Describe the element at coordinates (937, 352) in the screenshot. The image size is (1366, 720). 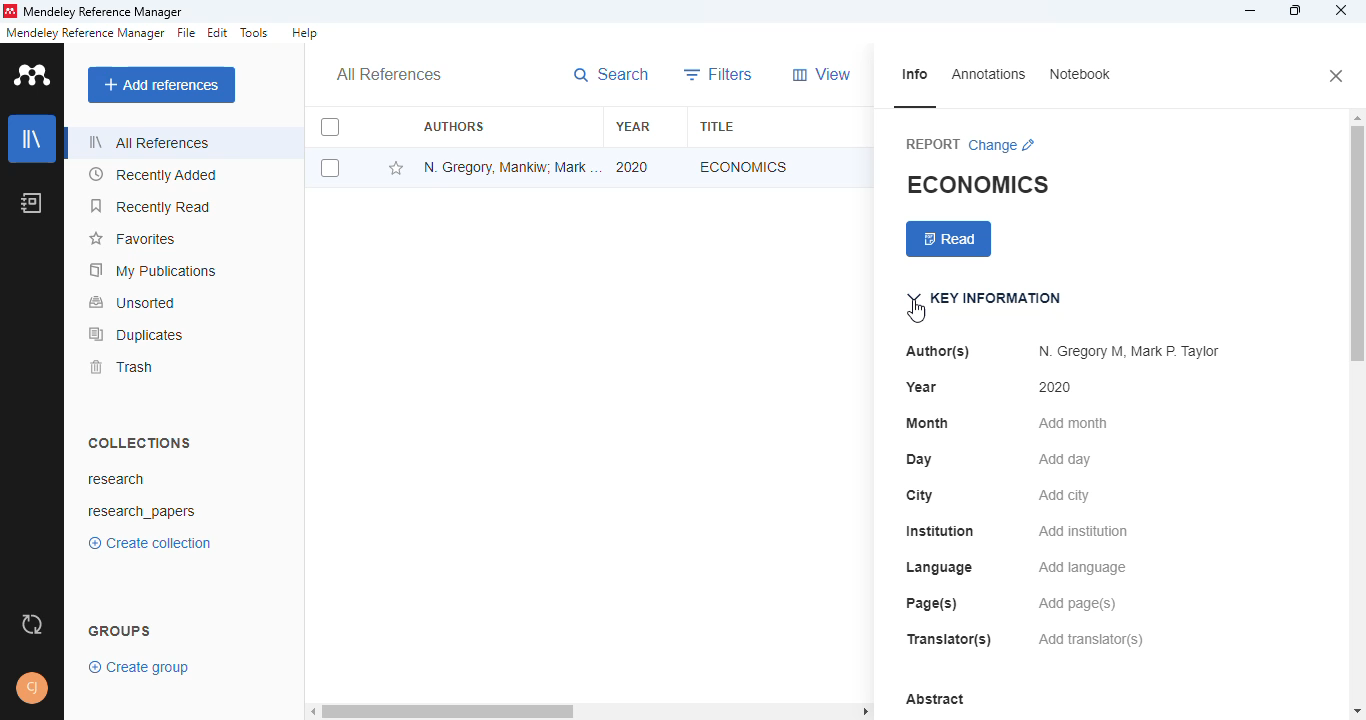
I see `author(s)` at that location.